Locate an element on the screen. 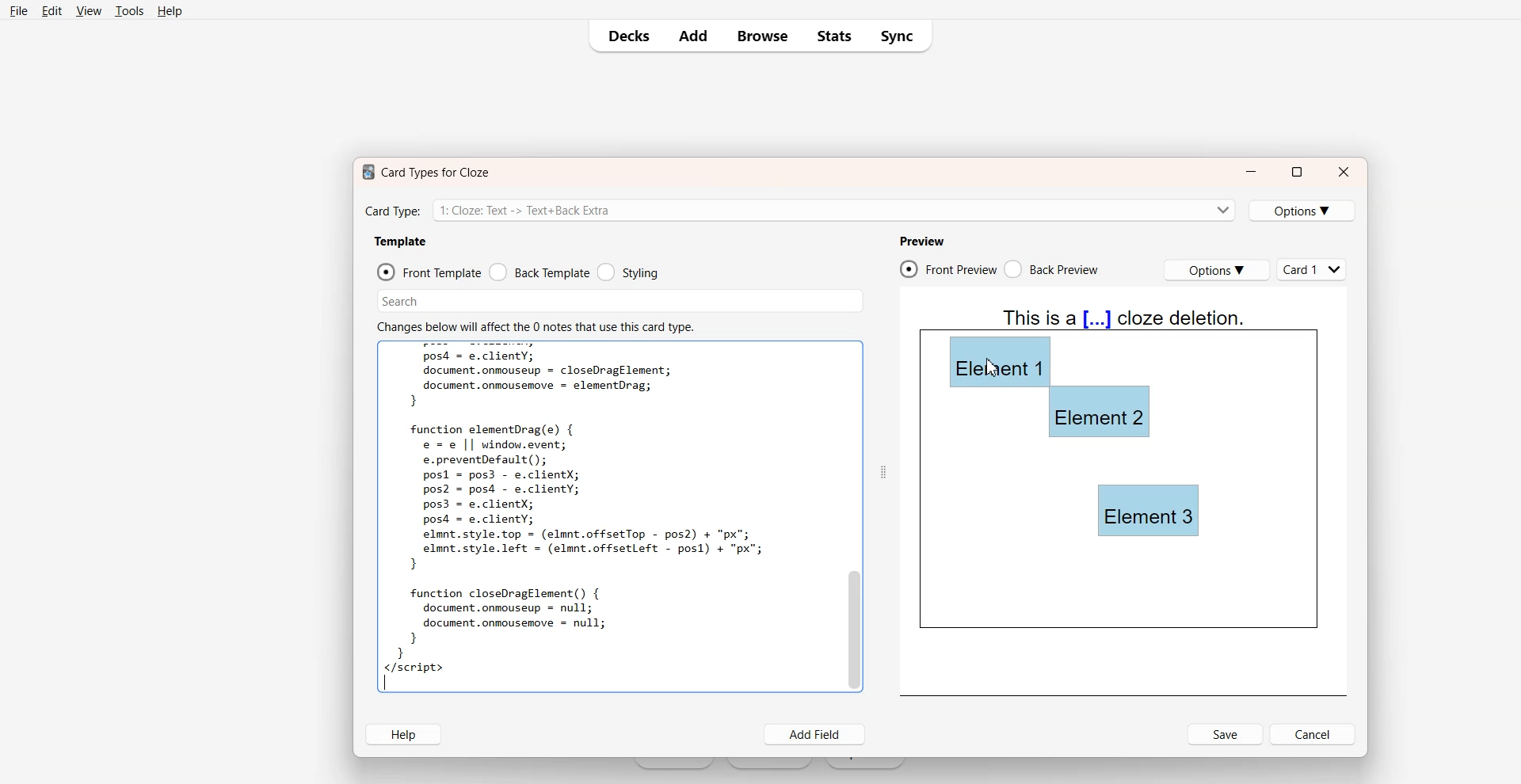 The width and height of the screenshot is (1521, 784). Cursor is located at coordinates (993, 368).